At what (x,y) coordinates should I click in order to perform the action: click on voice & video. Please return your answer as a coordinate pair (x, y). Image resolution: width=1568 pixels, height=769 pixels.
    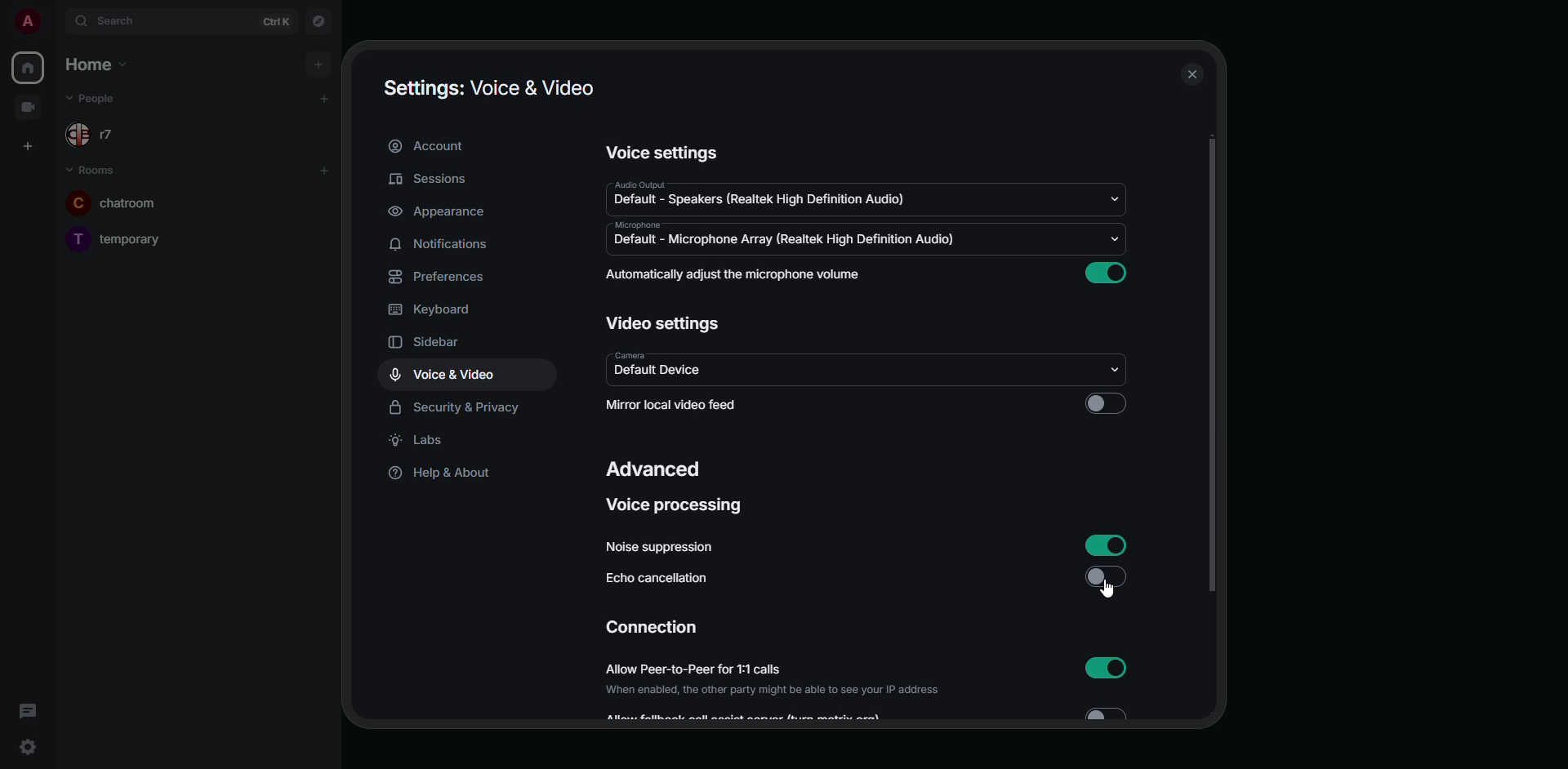
    Looking at the image, I should click on (447, 375).